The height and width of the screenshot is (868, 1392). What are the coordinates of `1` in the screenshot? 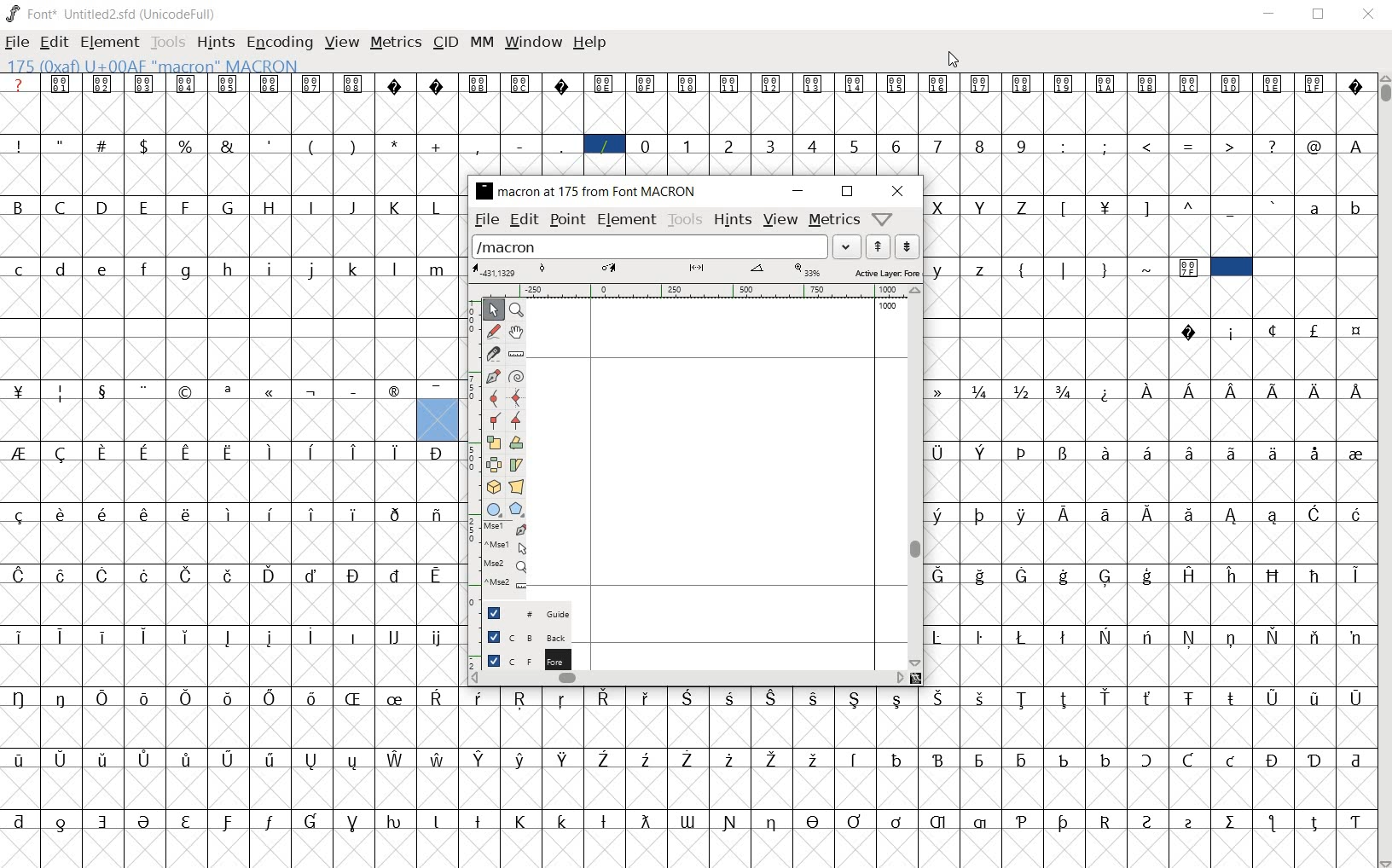 It's located at (688, 144).